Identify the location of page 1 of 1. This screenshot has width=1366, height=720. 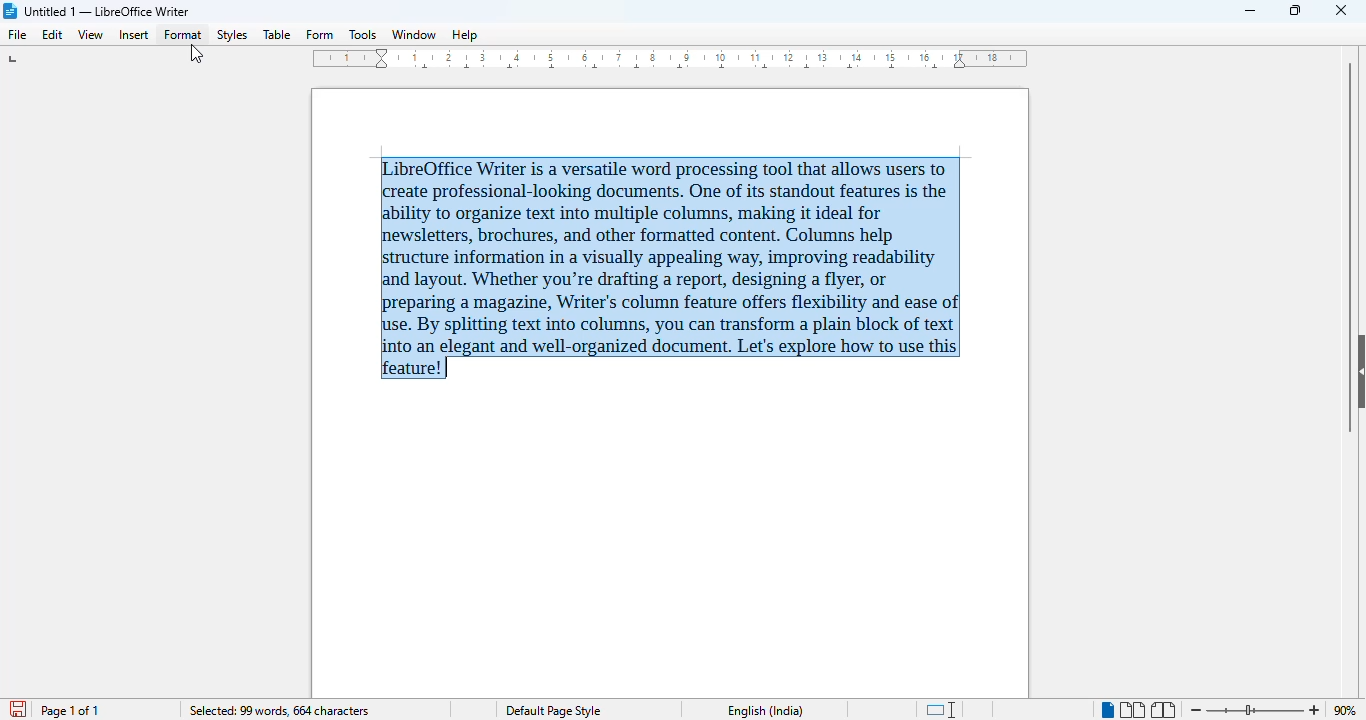
(70, 711).